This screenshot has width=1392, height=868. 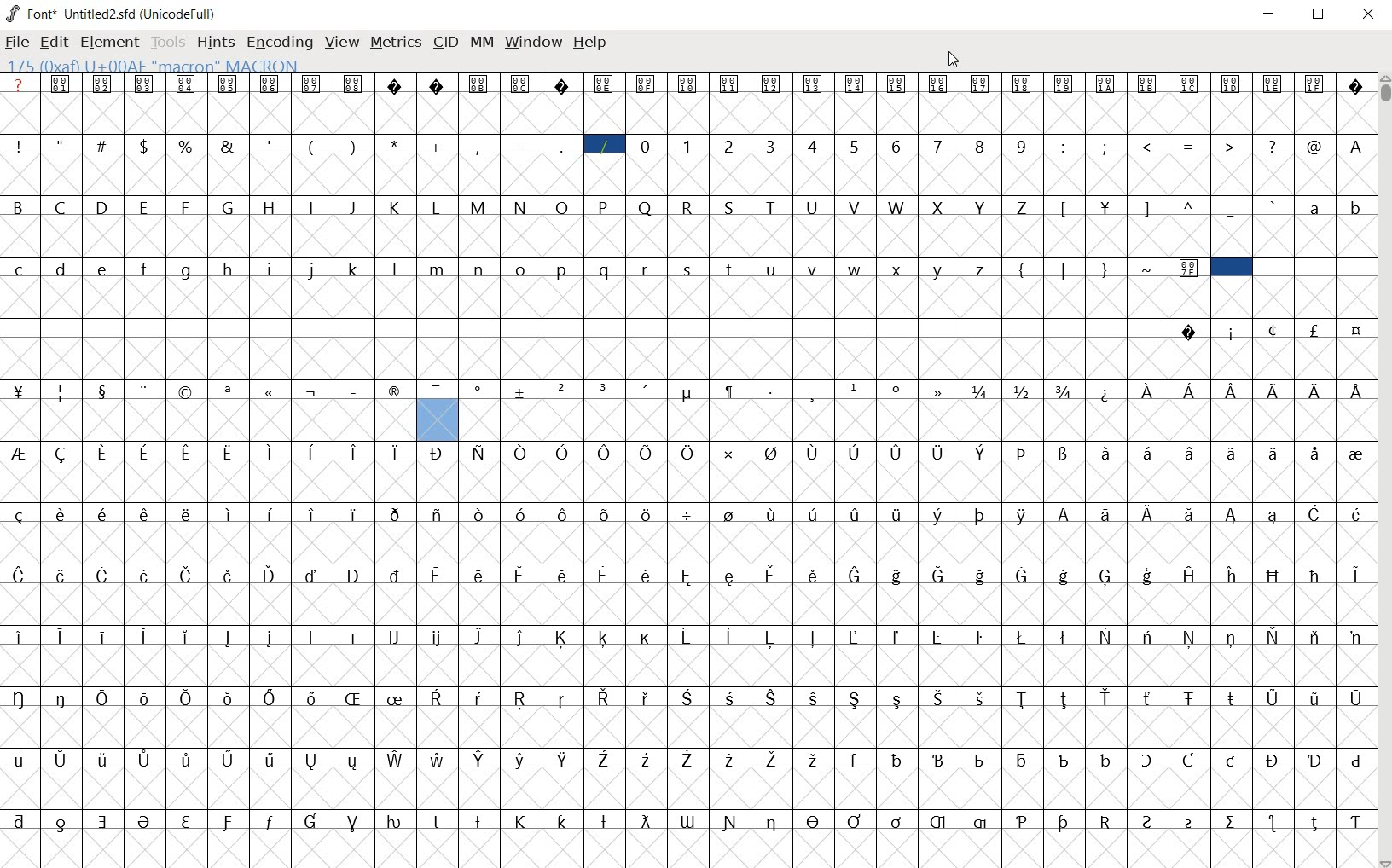 I want to click on T, so click(x=771, y=206).